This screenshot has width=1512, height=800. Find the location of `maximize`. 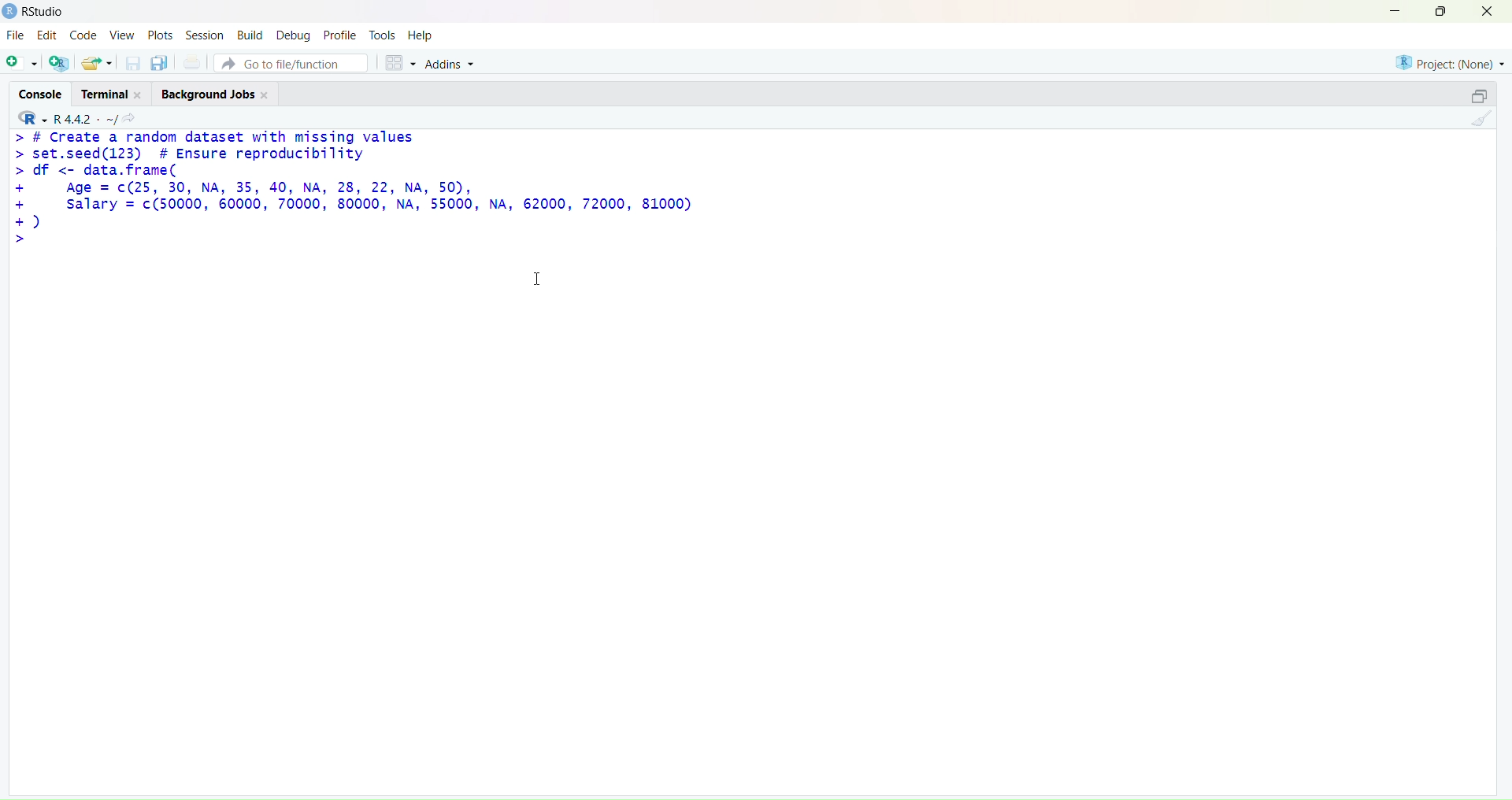

maximize is located at coordinates (1435, 11).